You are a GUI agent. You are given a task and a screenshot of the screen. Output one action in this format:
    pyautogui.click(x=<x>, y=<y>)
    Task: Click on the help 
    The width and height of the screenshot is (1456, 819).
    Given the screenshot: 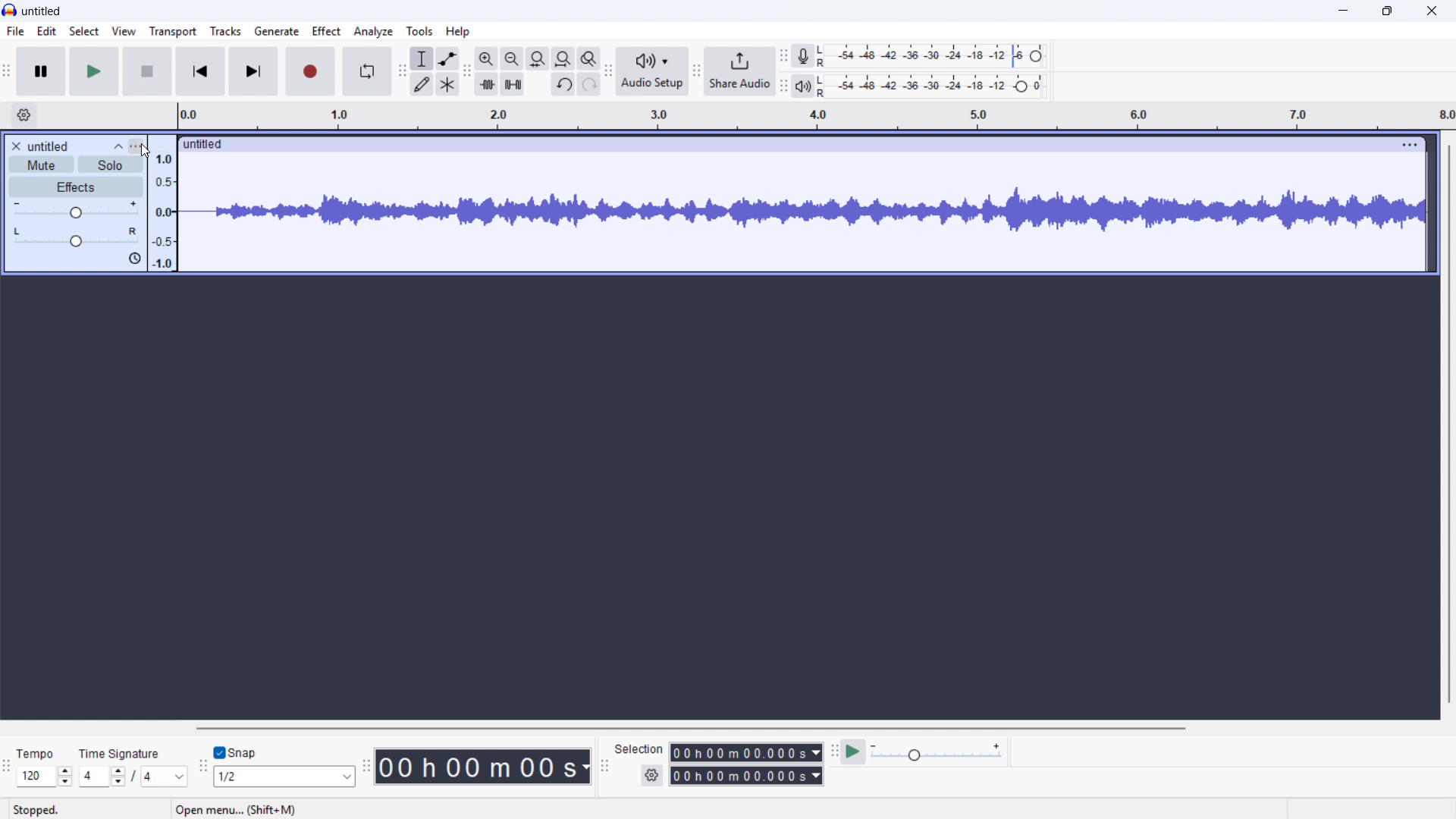 What is the action you would take?
    pyautogui.click(x=457, y=32)
    